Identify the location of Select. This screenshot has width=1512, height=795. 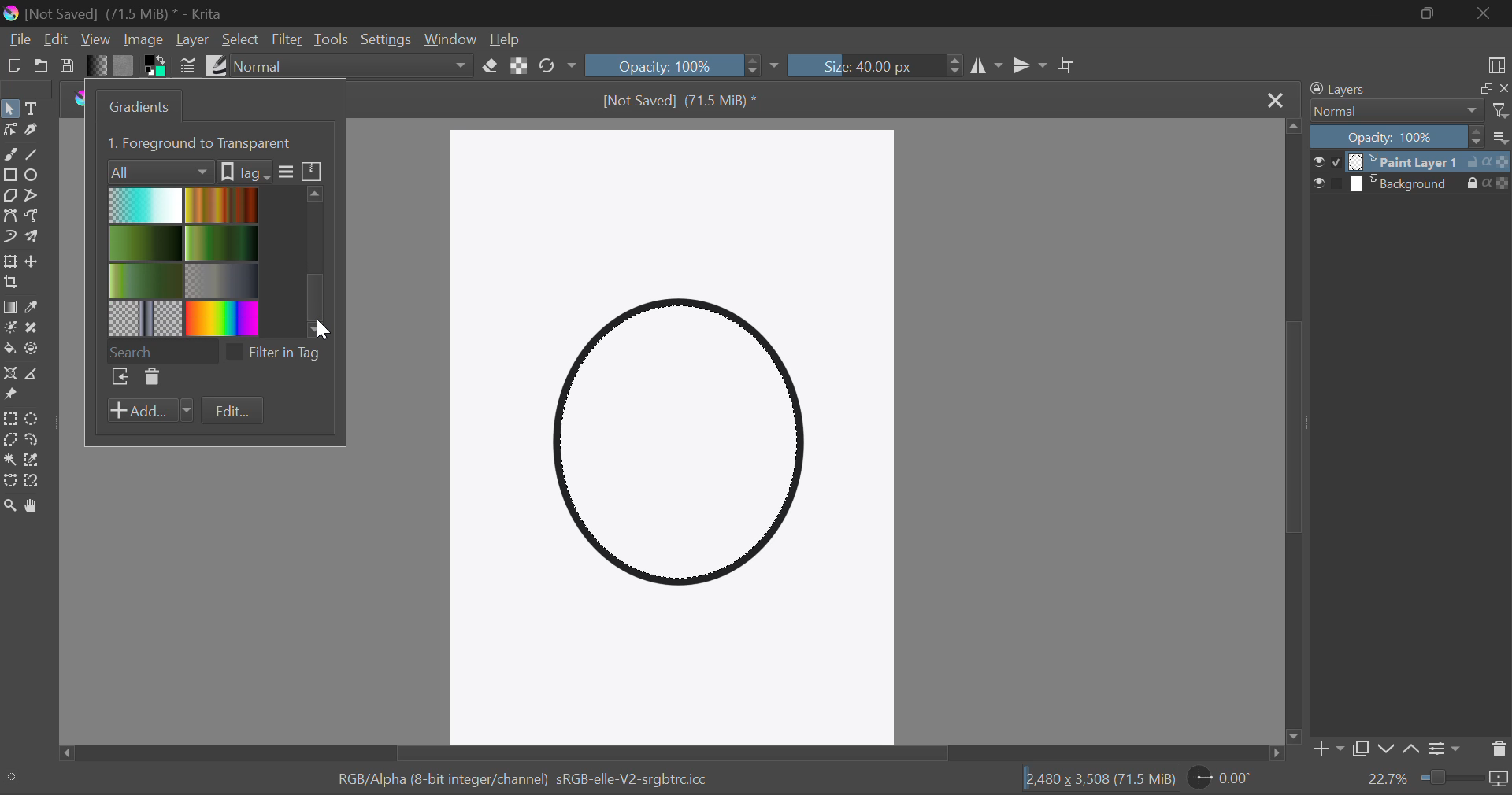
(10, 109).